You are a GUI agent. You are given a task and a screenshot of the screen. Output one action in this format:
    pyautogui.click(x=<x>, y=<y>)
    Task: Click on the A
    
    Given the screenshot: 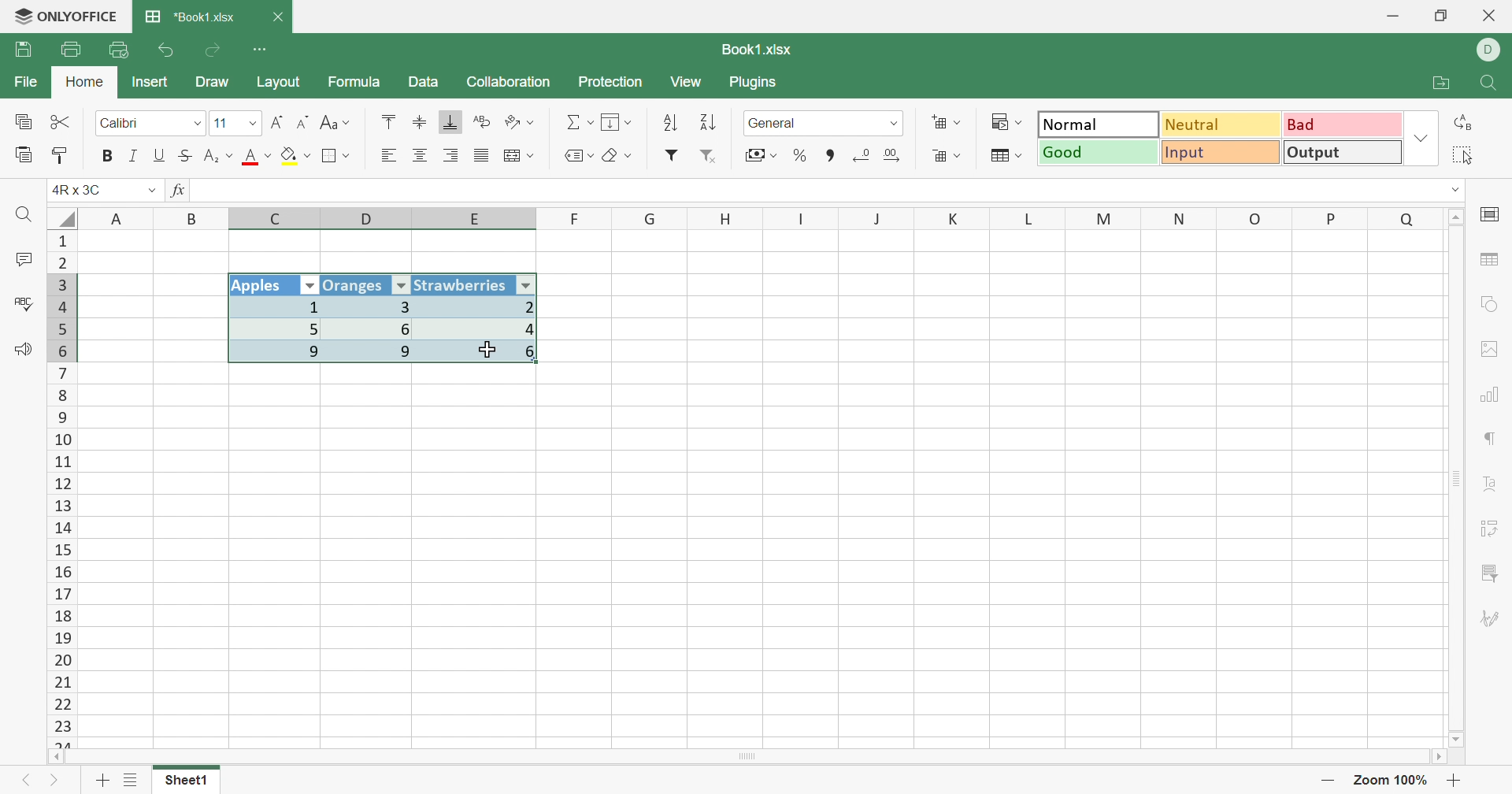 What is the action you would take?
    pyautogui.click(x=119, y=217)
    